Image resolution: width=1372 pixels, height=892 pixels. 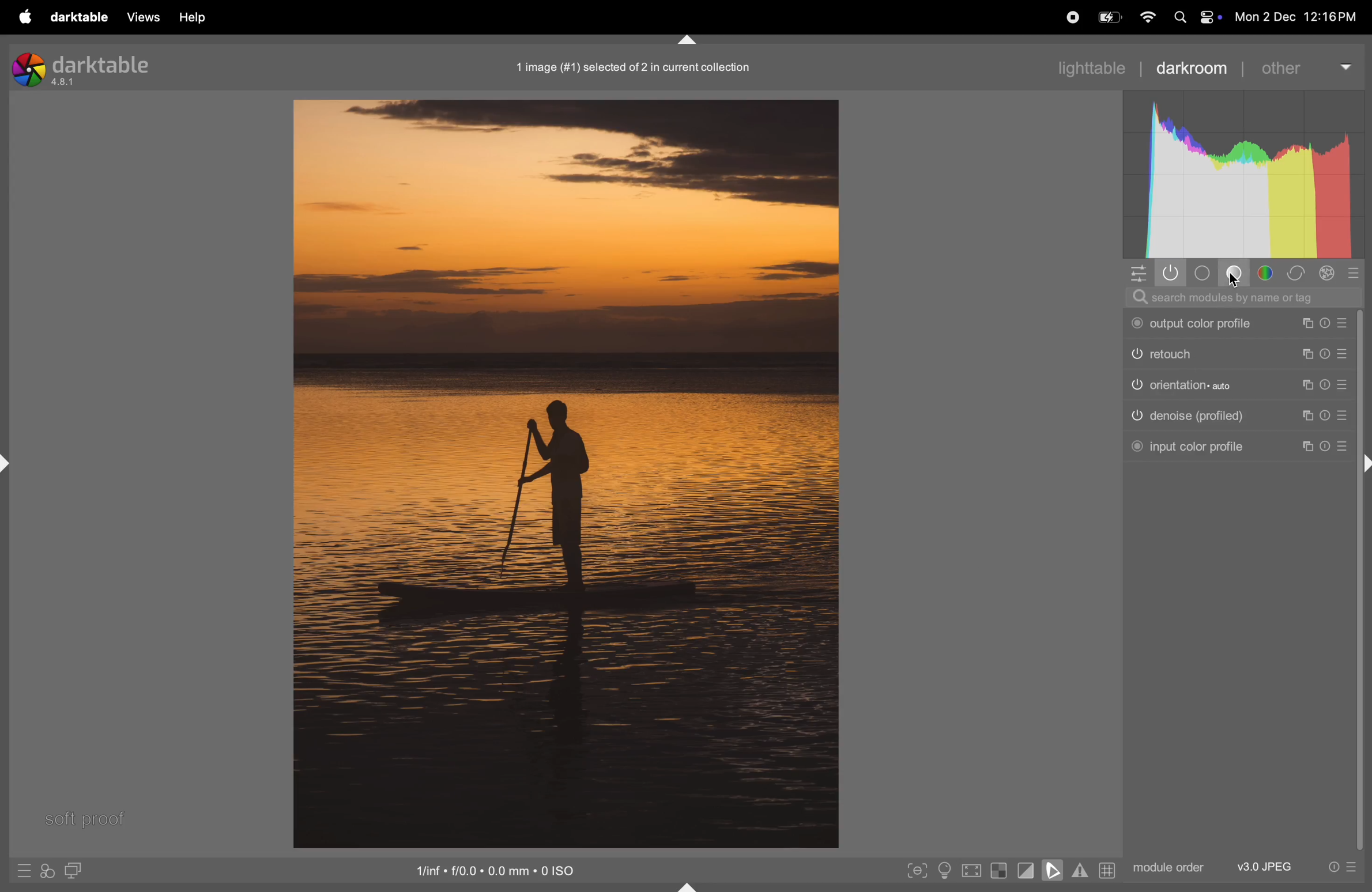 What do you see at coordinates (191, 18) in the screenshot?
I see `help` at bounding box center [191, 18].